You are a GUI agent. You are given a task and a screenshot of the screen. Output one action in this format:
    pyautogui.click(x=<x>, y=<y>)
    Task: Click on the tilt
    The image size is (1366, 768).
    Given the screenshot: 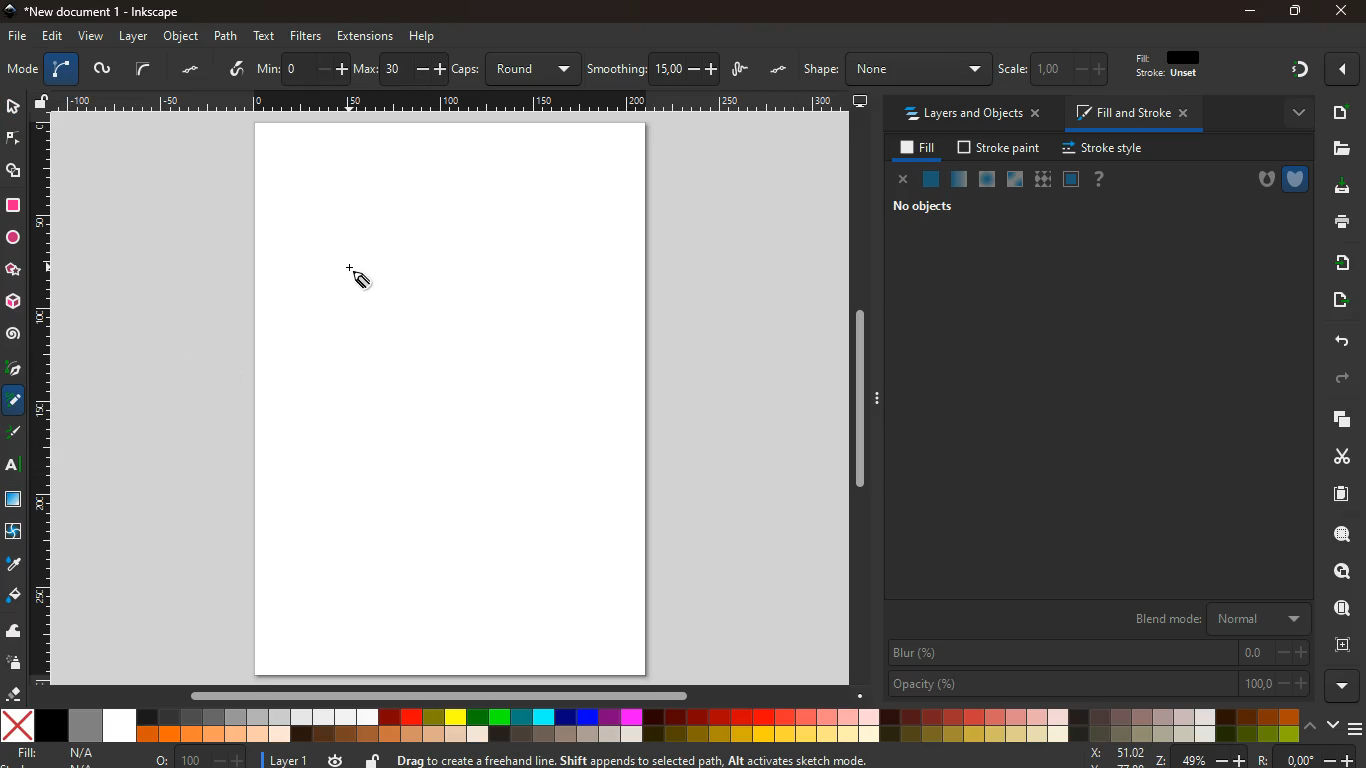 What is the action you would take?
    pyautogui.click(x=234, y=69)
    